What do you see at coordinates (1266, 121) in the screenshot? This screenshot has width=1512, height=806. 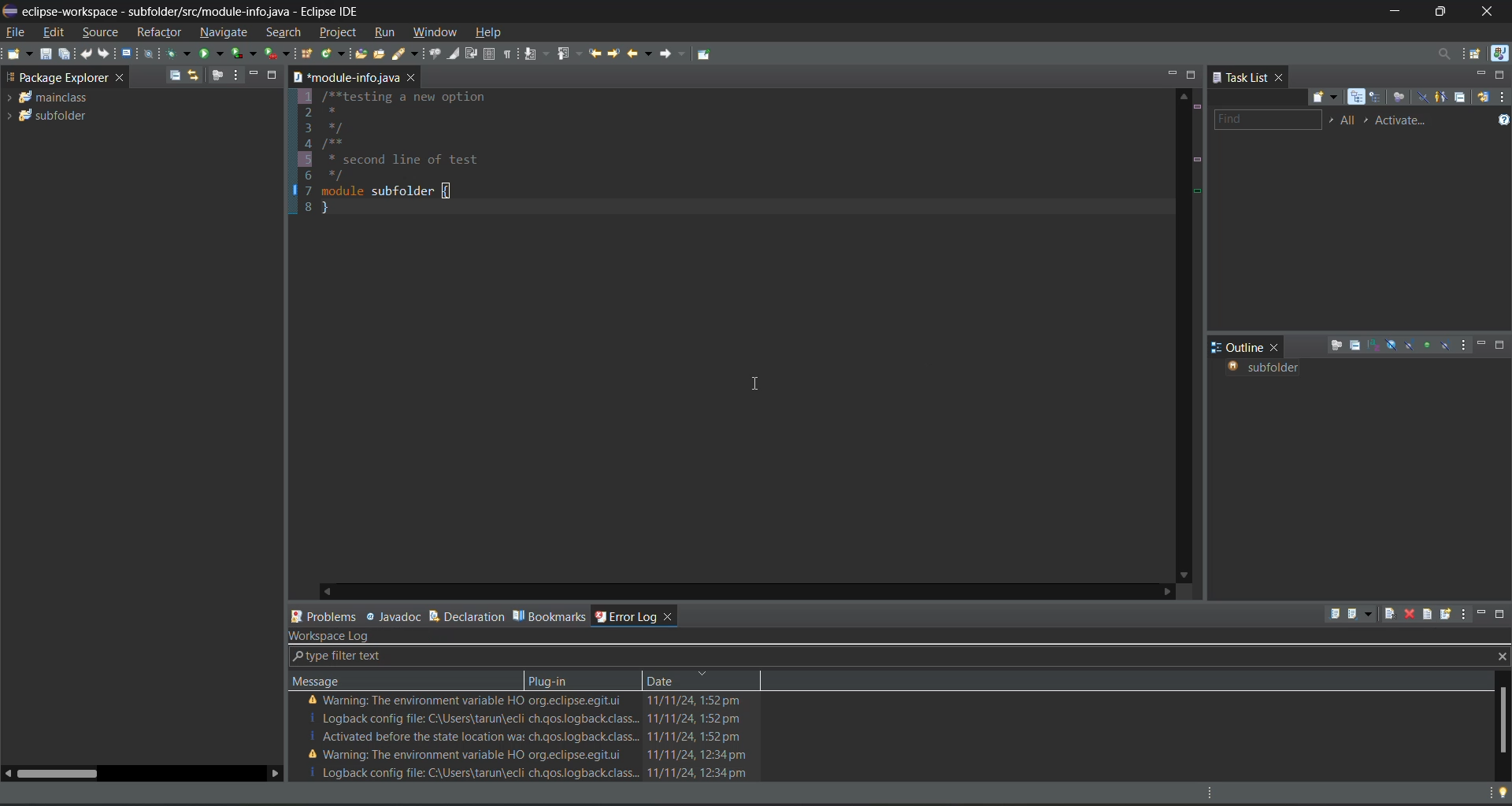 I see `find` at bounding box center [1266, 121].